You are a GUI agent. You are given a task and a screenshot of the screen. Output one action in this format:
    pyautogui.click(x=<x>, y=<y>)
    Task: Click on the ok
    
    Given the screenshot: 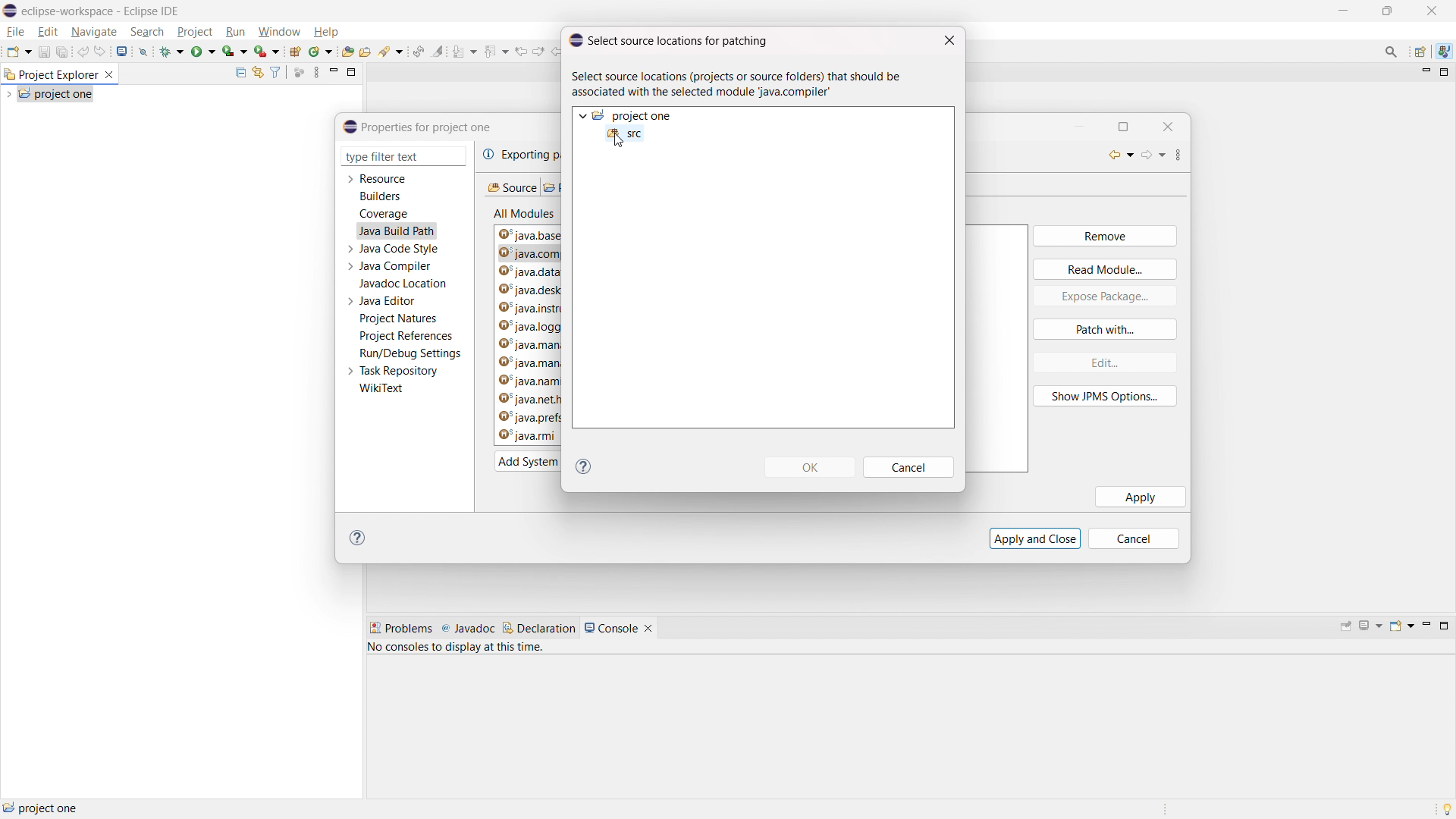 What is the action you would take?
    pyautogui.click(x=810, y=467)
    